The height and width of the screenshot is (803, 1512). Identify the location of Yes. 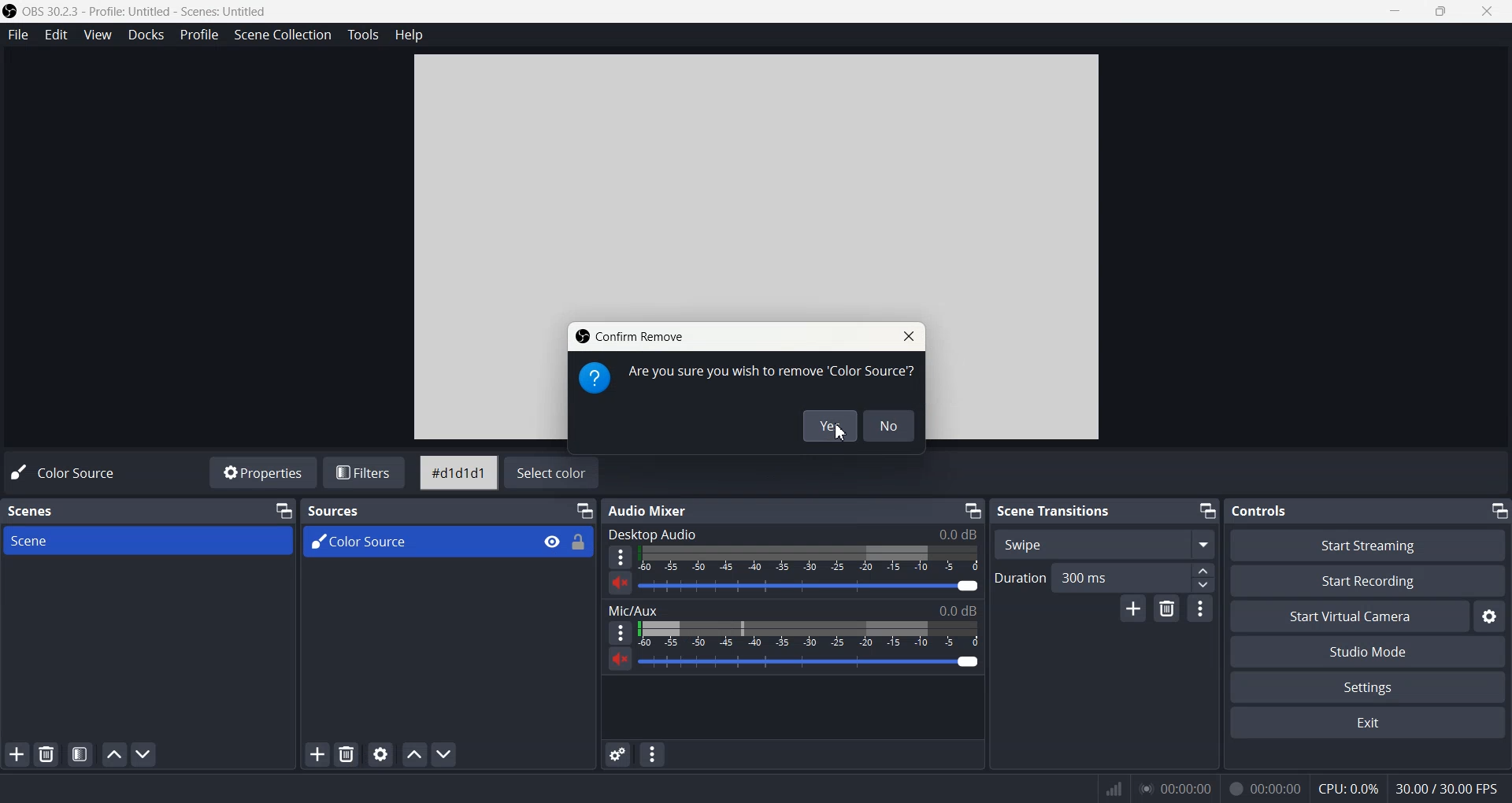
(829, 425).